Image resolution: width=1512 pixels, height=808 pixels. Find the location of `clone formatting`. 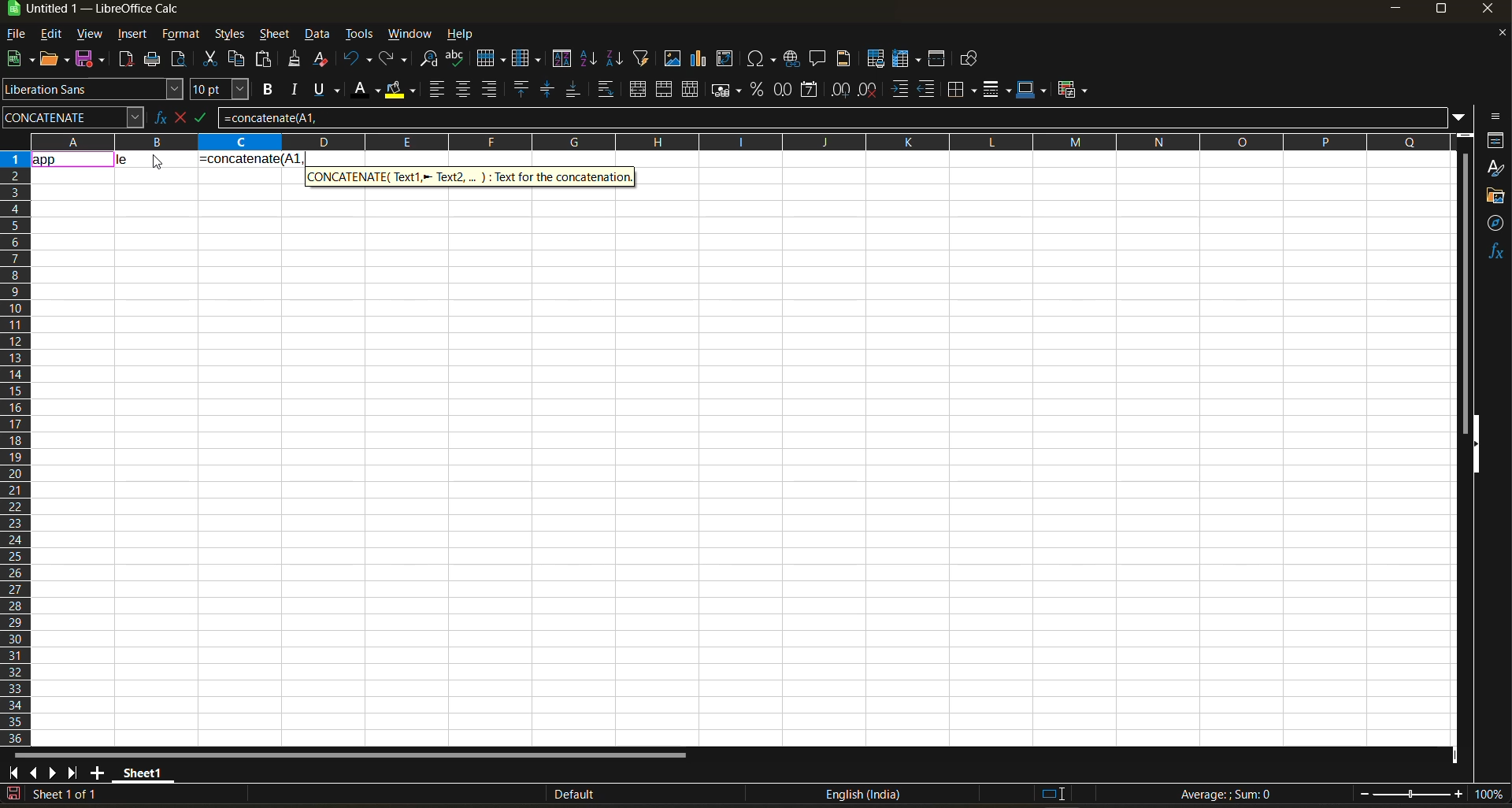

clone formatting is located at coordinates (295, 61).